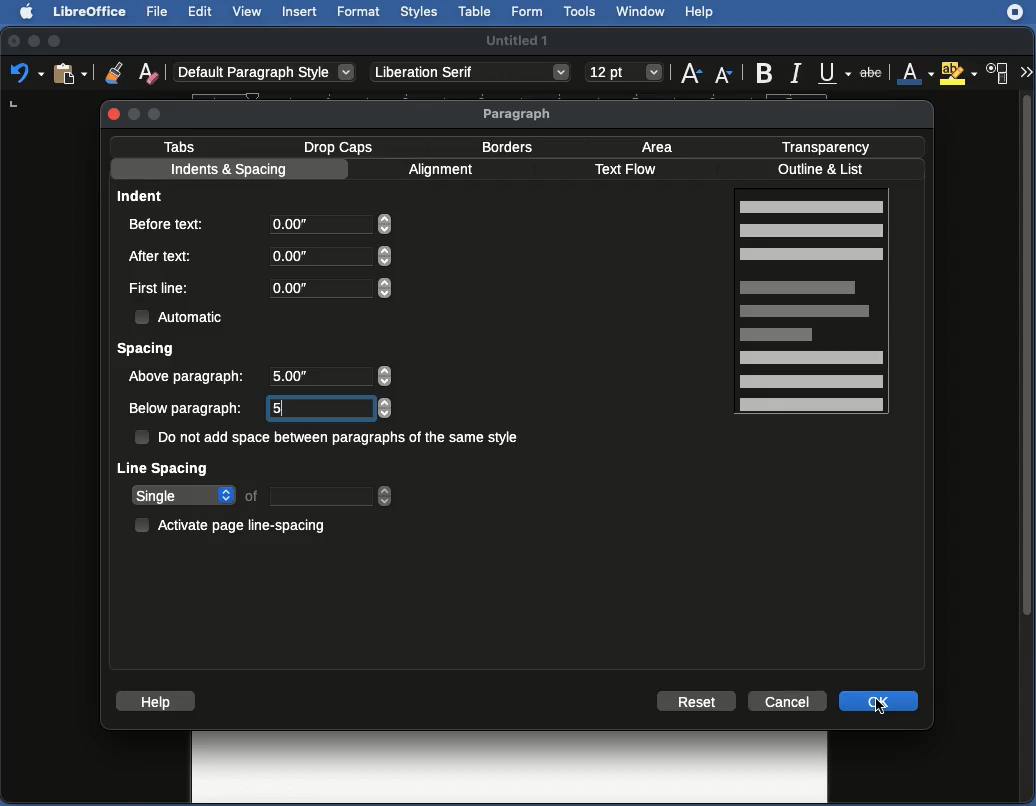  Describe the element at coordinates (21, 11) in the screenshot. I see `Apple logo` at that location.